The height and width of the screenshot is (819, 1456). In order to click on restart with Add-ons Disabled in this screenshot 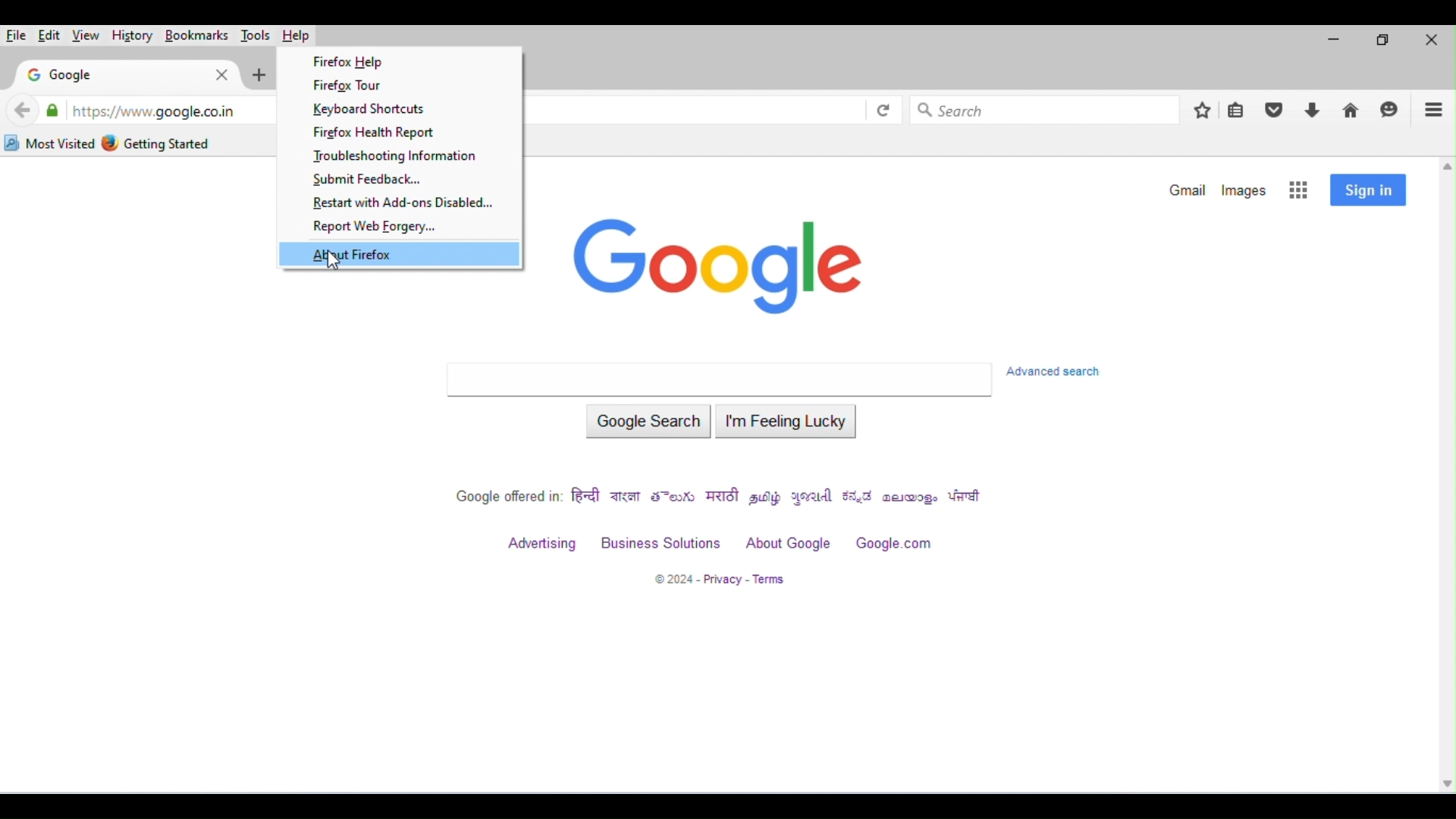, I will do `click(405, 203)`.